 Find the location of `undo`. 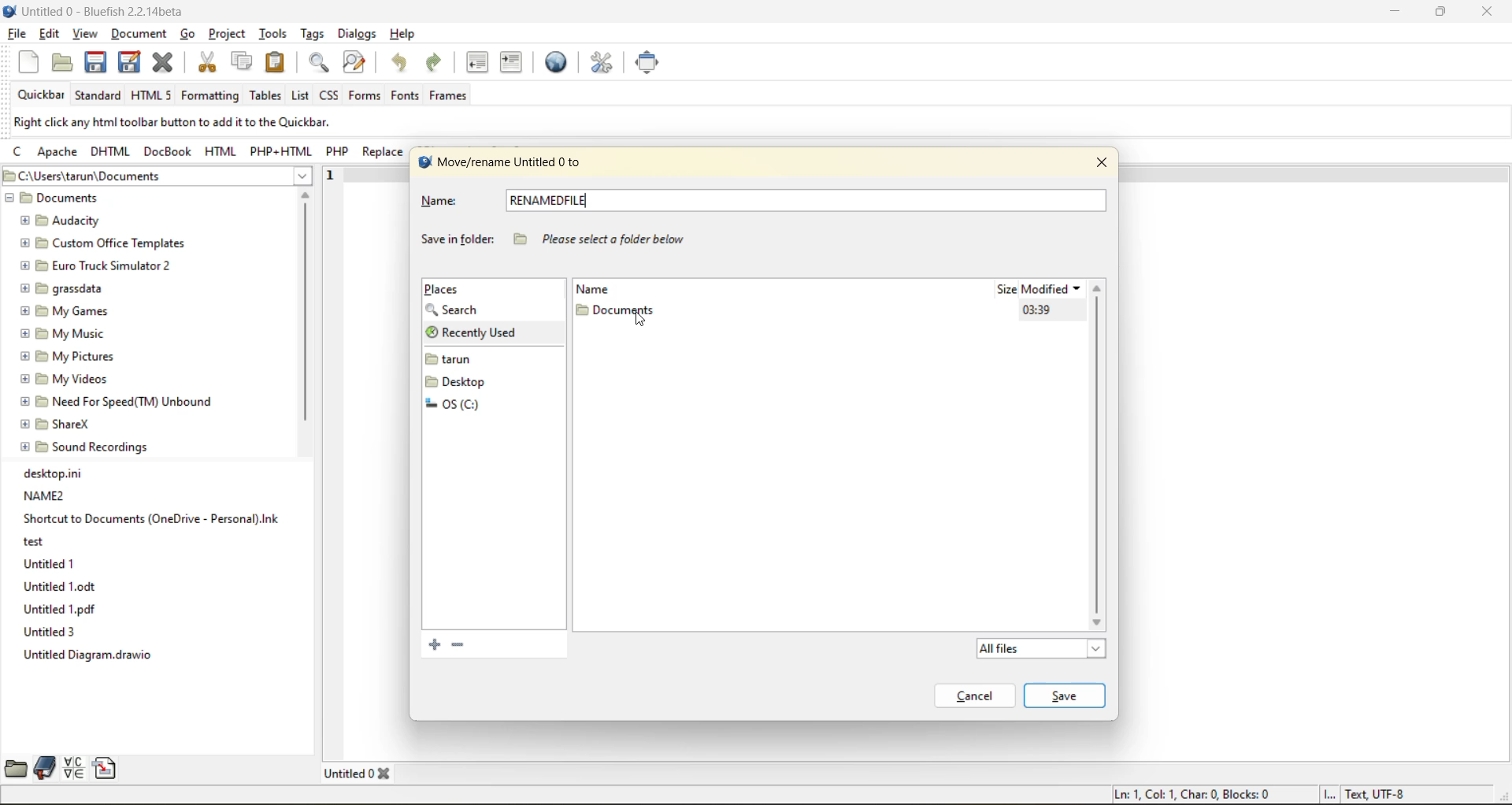

undo is located at coordinates (402, 65).